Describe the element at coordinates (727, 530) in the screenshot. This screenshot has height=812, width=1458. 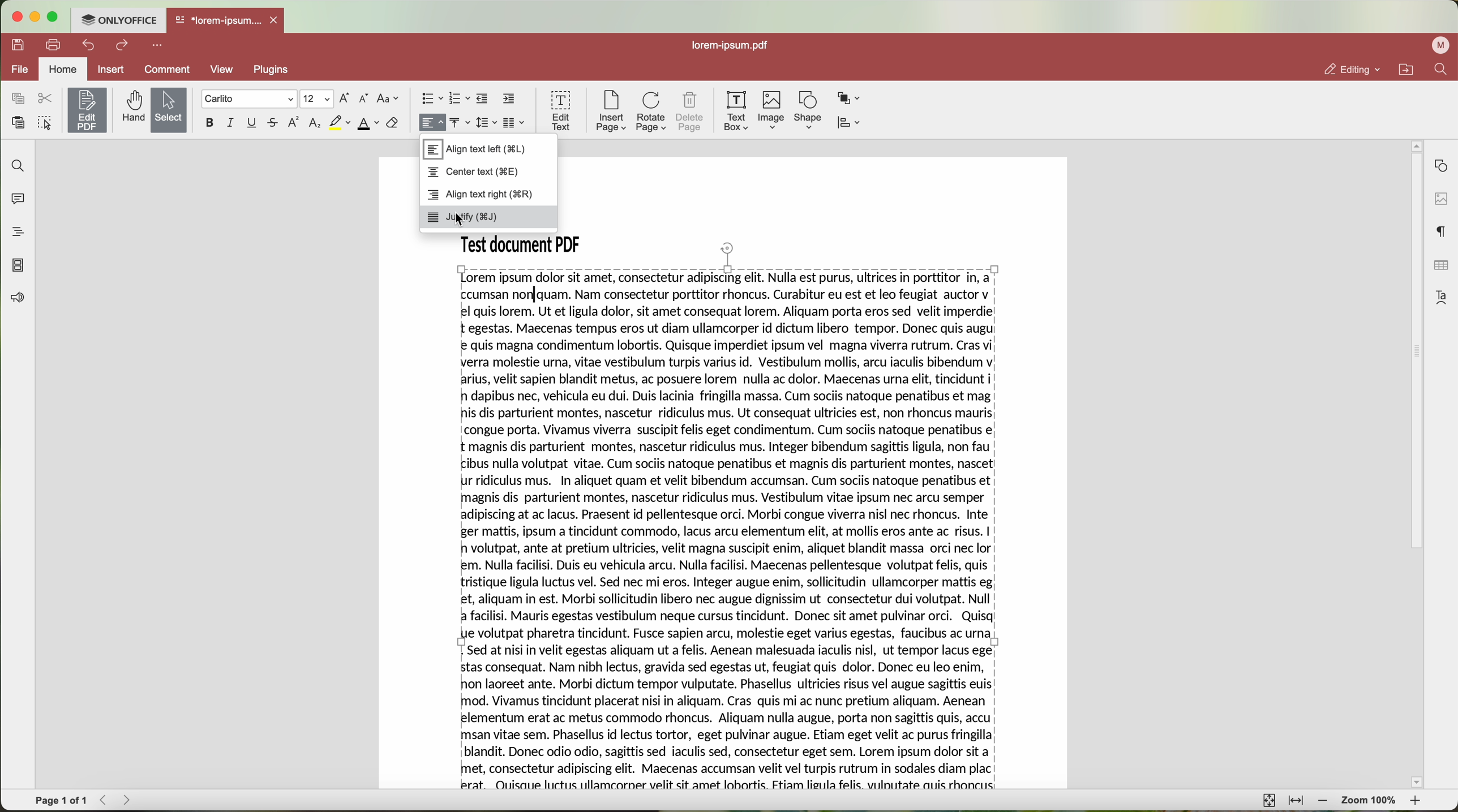
I see `selected text` at that location.